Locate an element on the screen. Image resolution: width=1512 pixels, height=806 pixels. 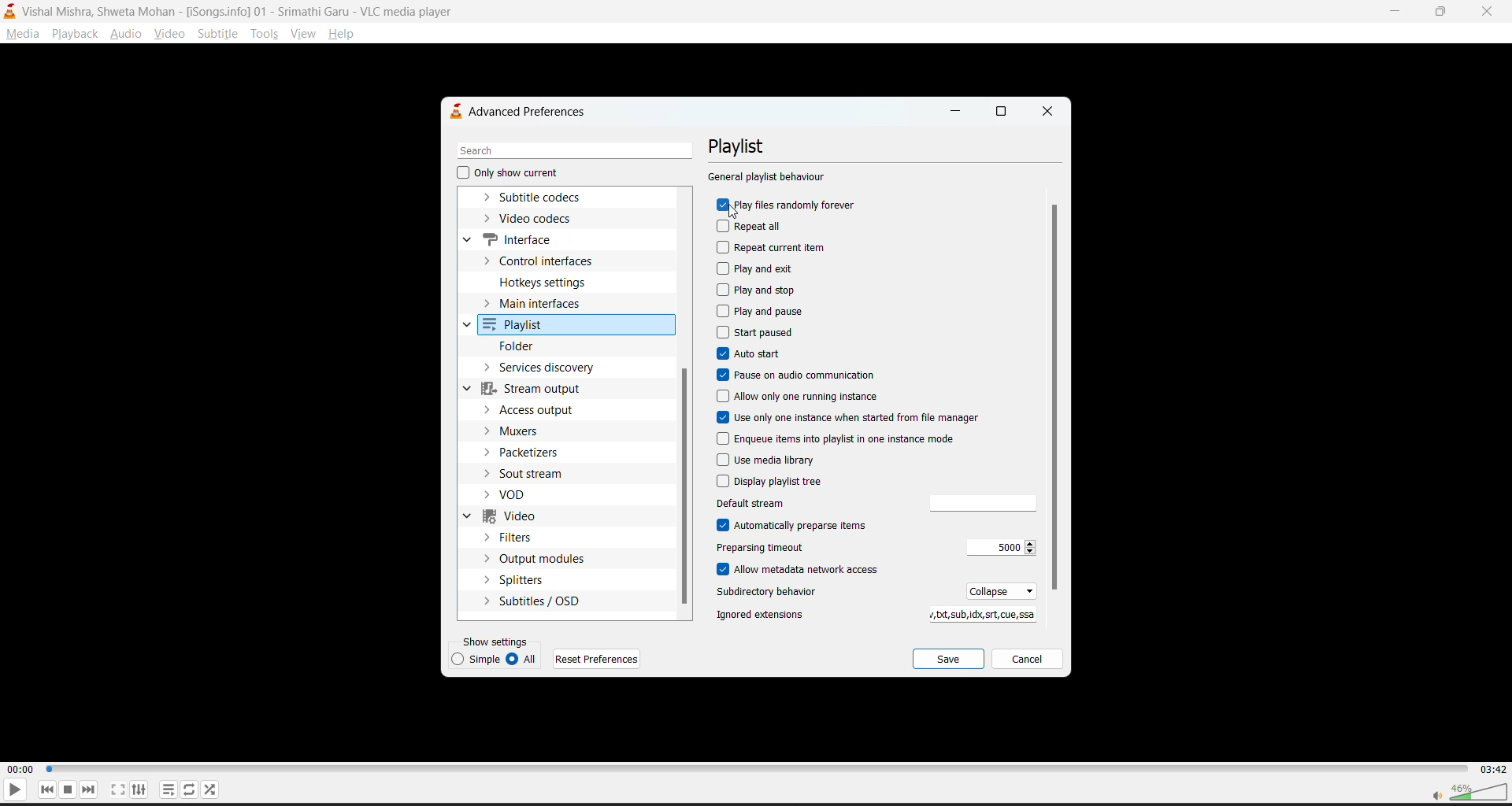
preparsing timeout is located at coordinates (874, 547).